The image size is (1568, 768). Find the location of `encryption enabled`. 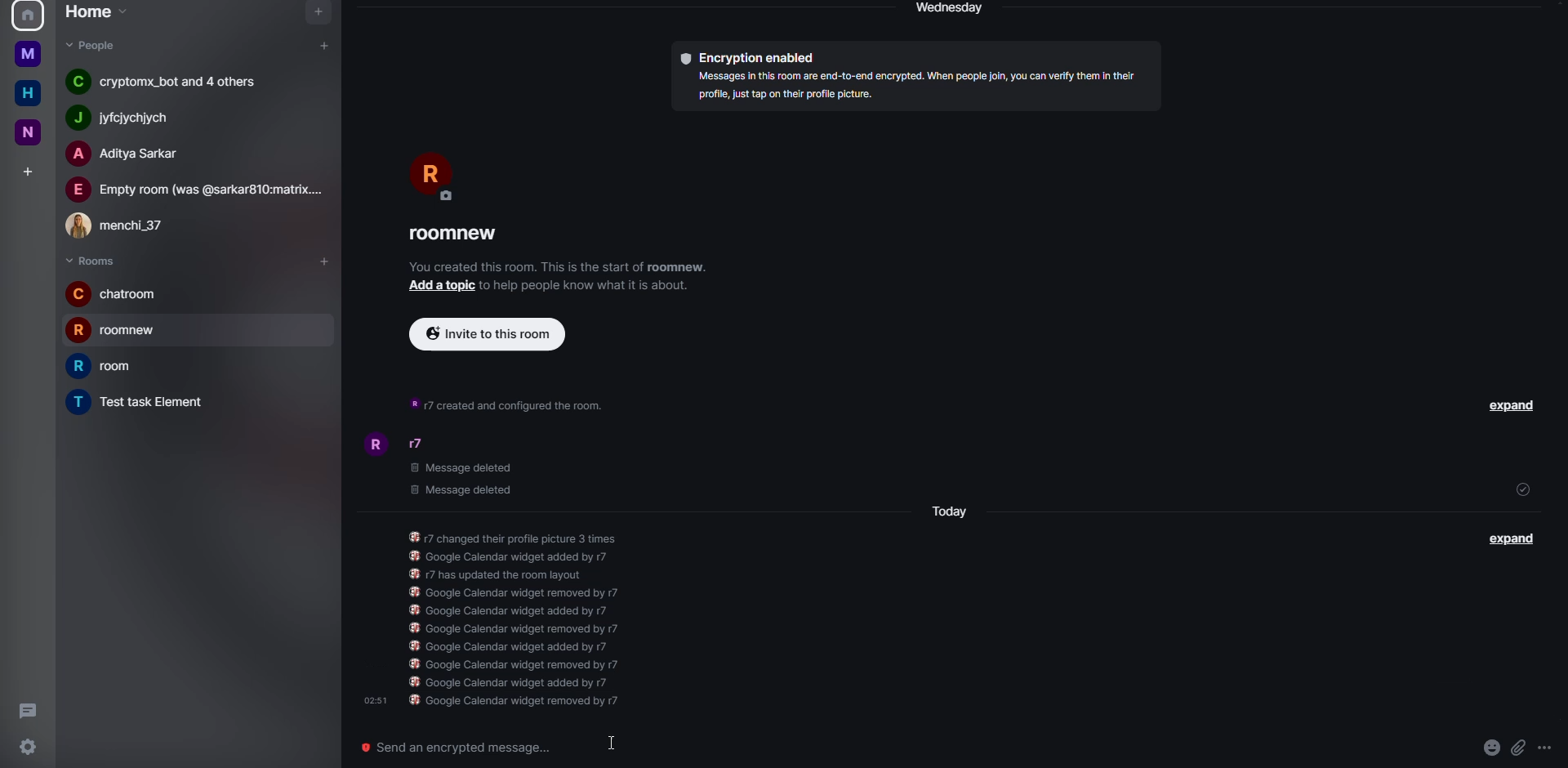

encryption enabled is located at coordinates (755, 57).